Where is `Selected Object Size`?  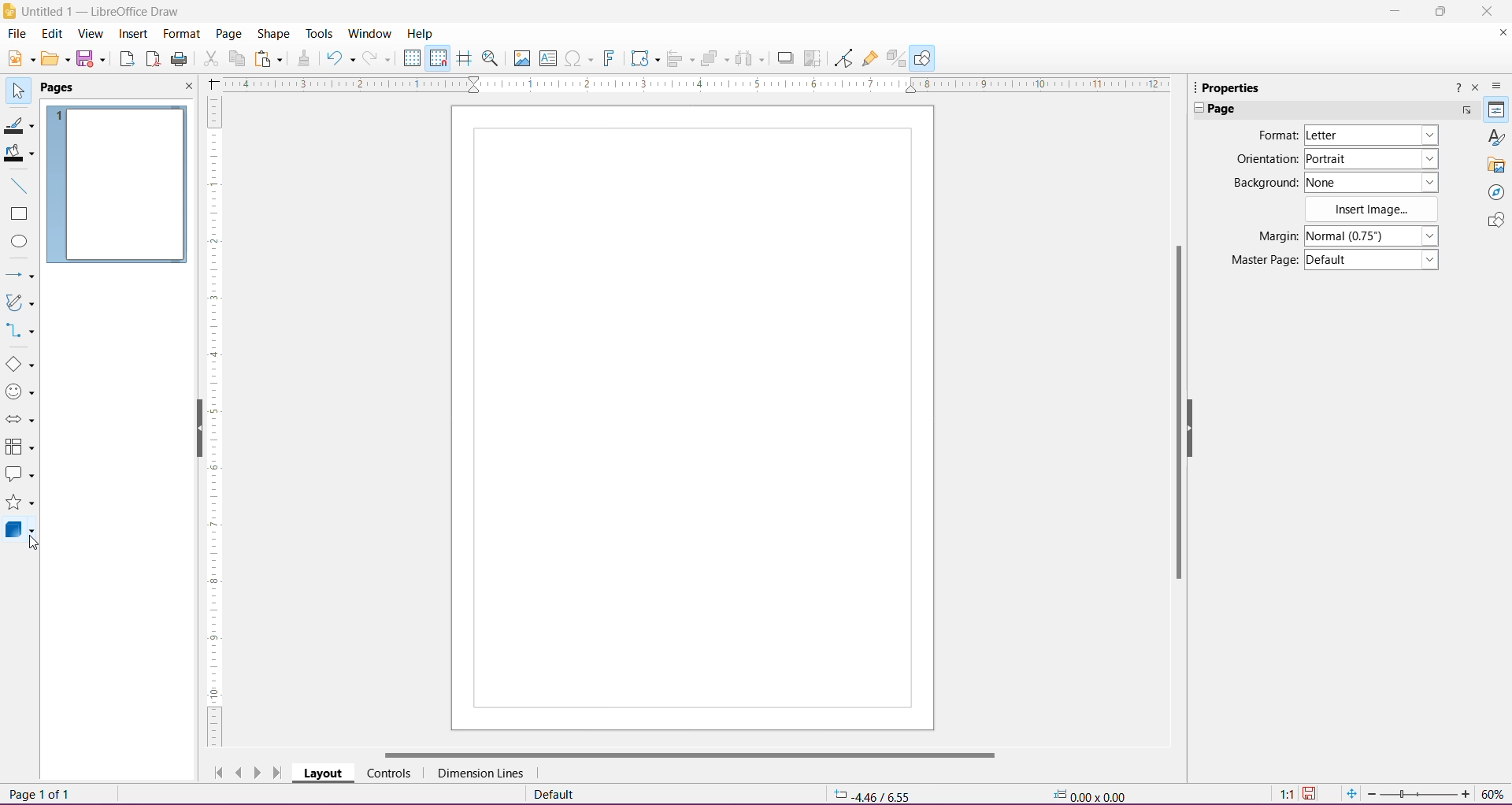
Selected Object Size is located at coordinates (1088, 793).